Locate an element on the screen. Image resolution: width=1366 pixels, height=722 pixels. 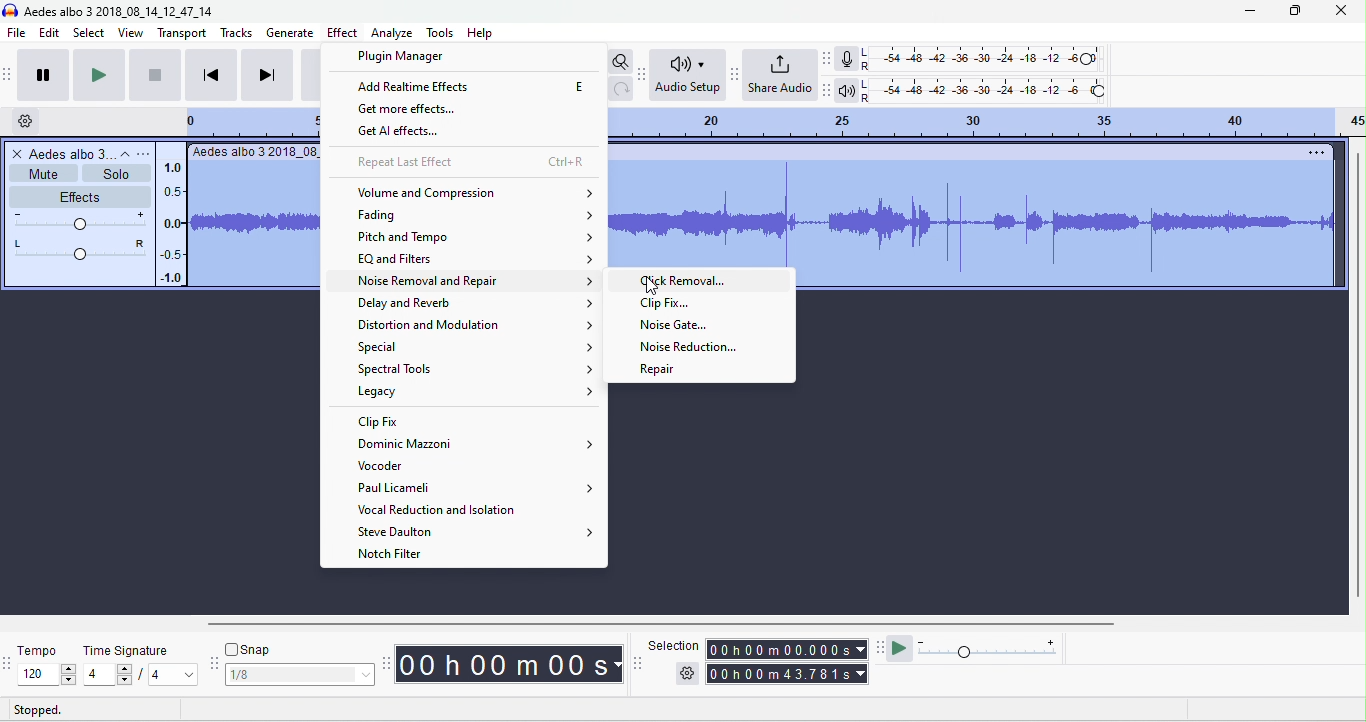
special is located at coordinates (477, 348).